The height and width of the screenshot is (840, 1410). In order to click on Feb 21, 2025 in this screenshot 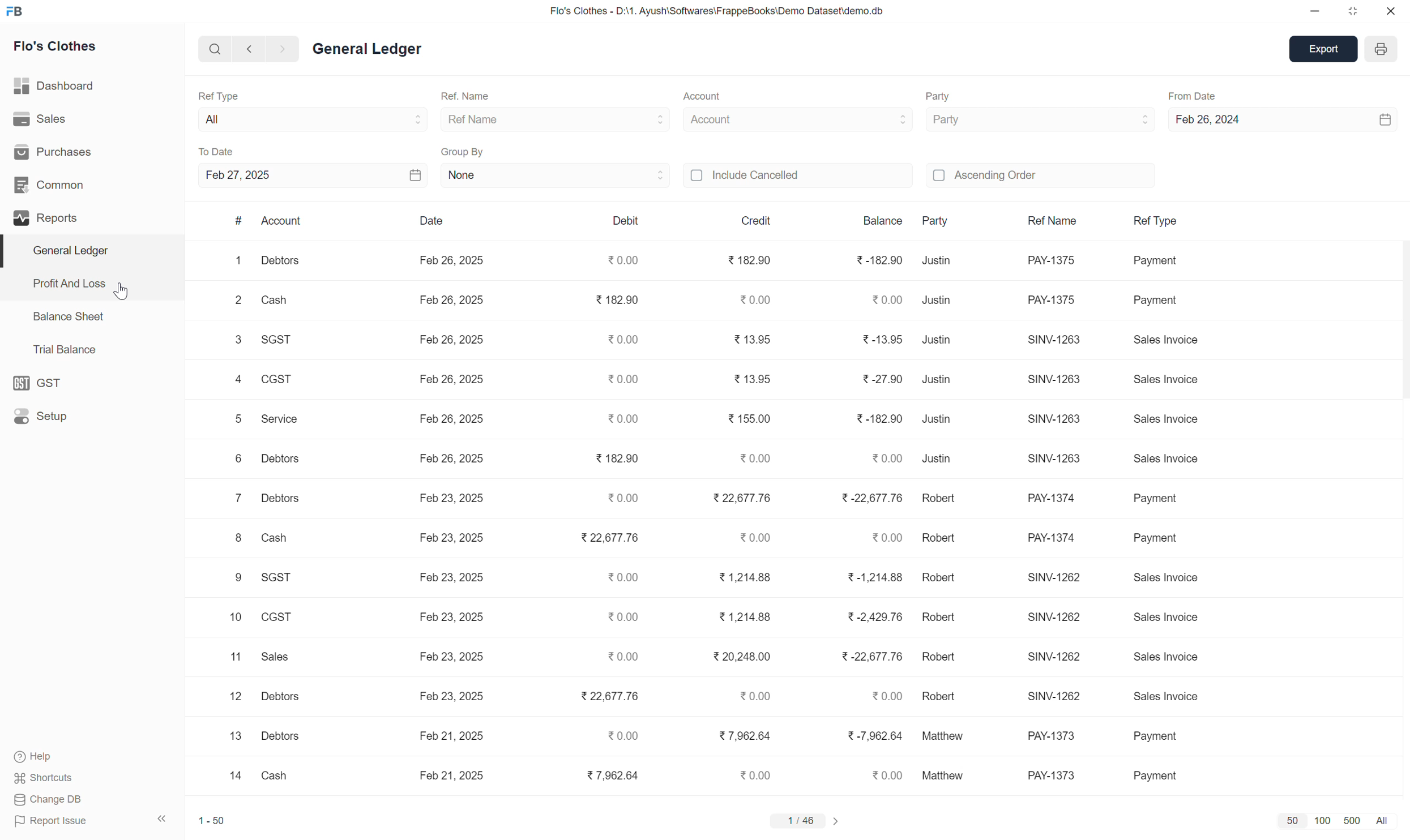, I will do `click(458, 780)`.